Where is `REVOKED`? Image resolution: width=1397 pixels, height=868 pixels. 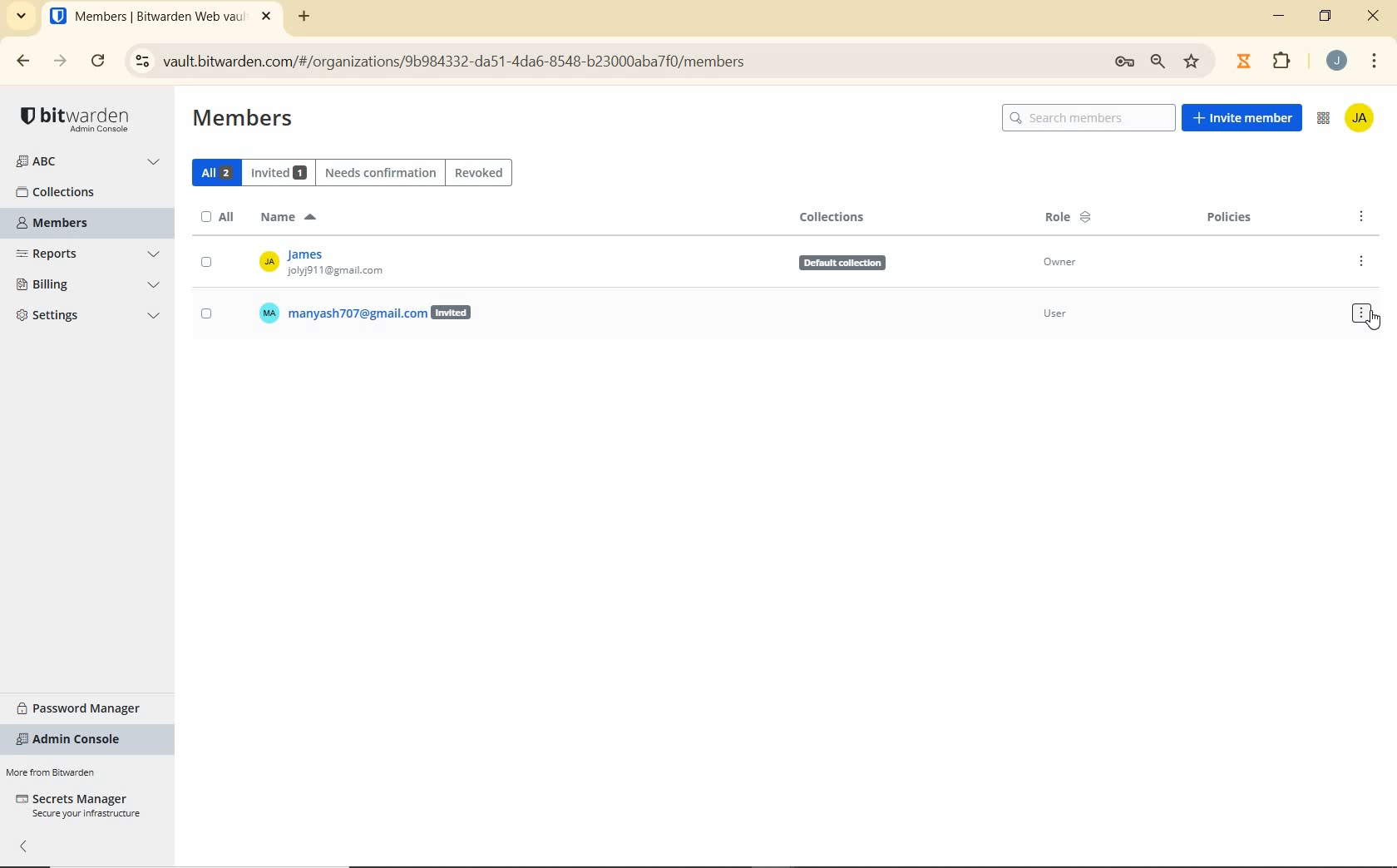
REVOKED is located at coordinates (479, 172).